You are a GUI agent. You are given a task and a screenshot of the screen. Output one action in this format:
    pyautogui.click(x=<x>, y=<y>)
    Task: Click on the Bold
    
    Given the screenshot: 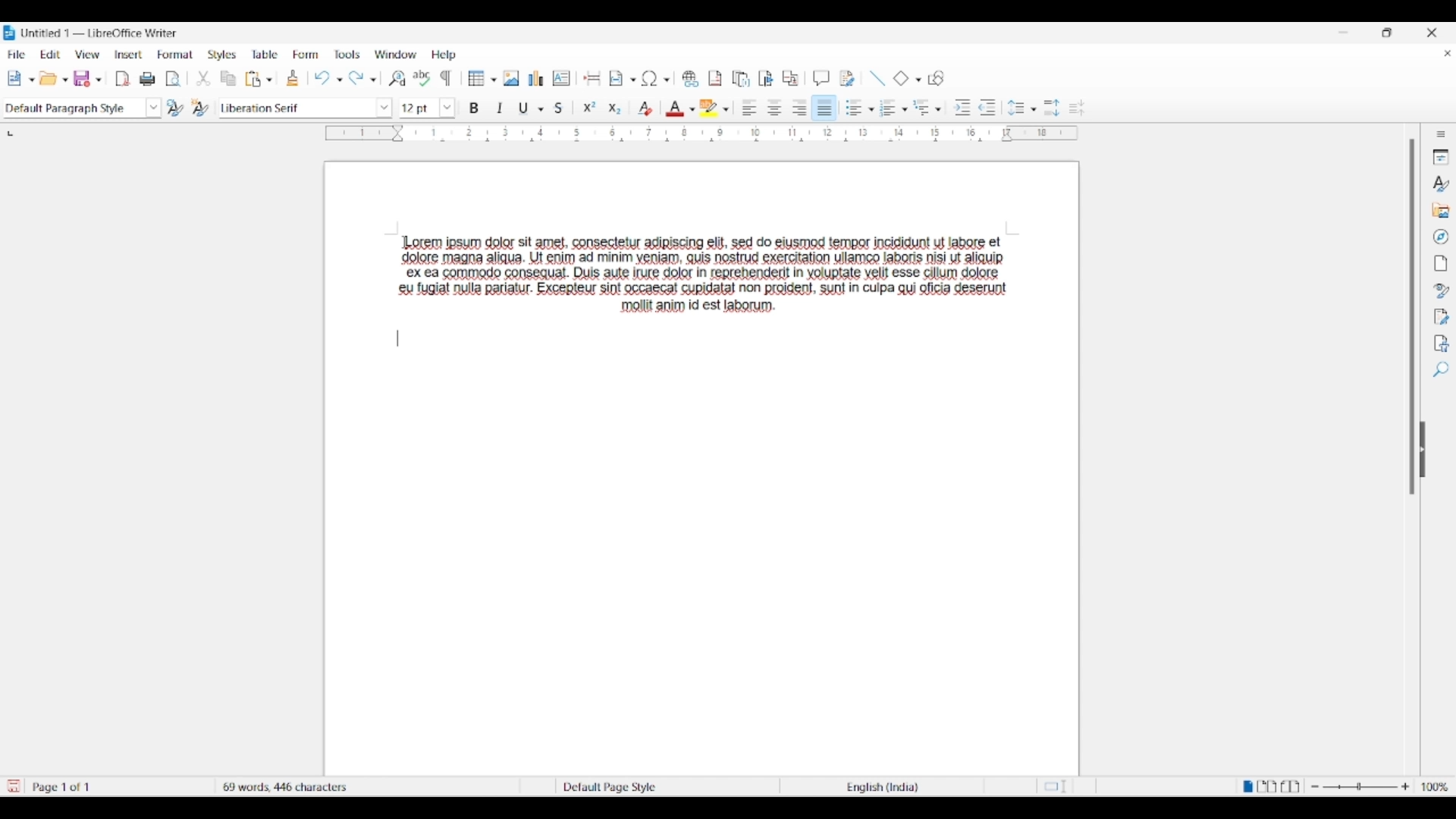 What is the action you would take?
    pyautogui.click(x=475, y=108)
    